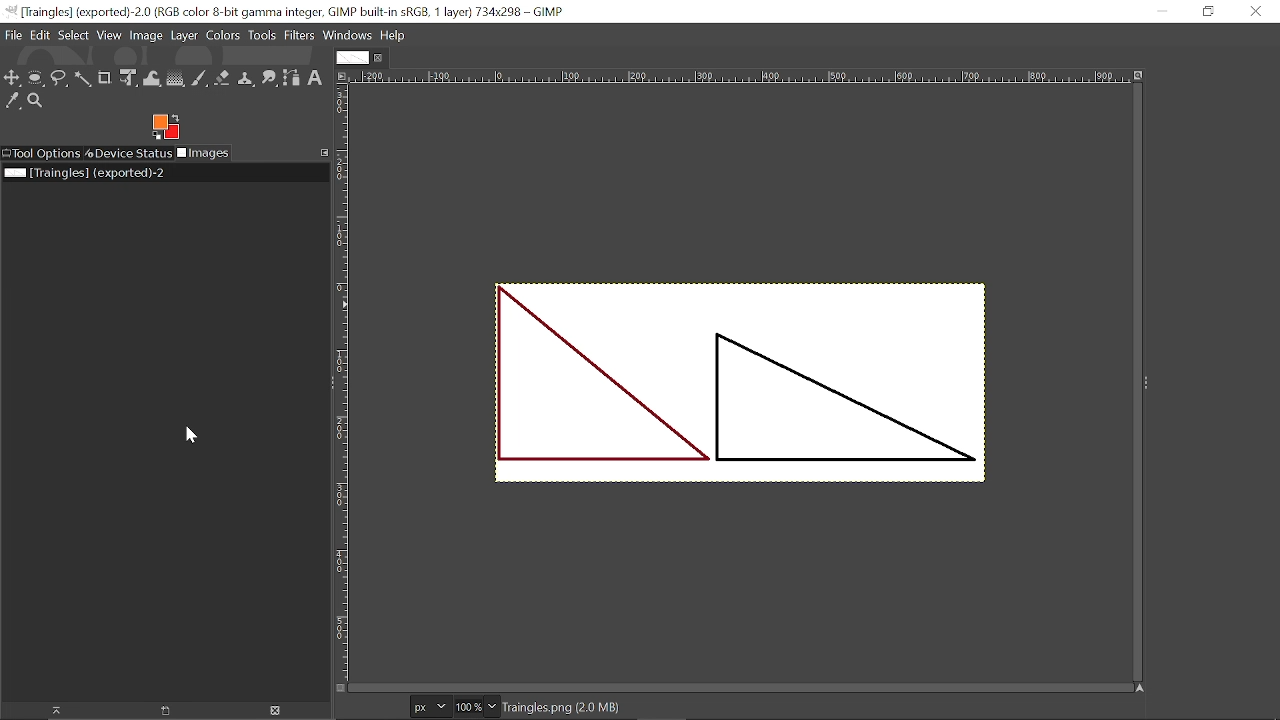 This screenshot has height=720, width=1280. I want to click on Paintbrush tool, so click(200, 79).